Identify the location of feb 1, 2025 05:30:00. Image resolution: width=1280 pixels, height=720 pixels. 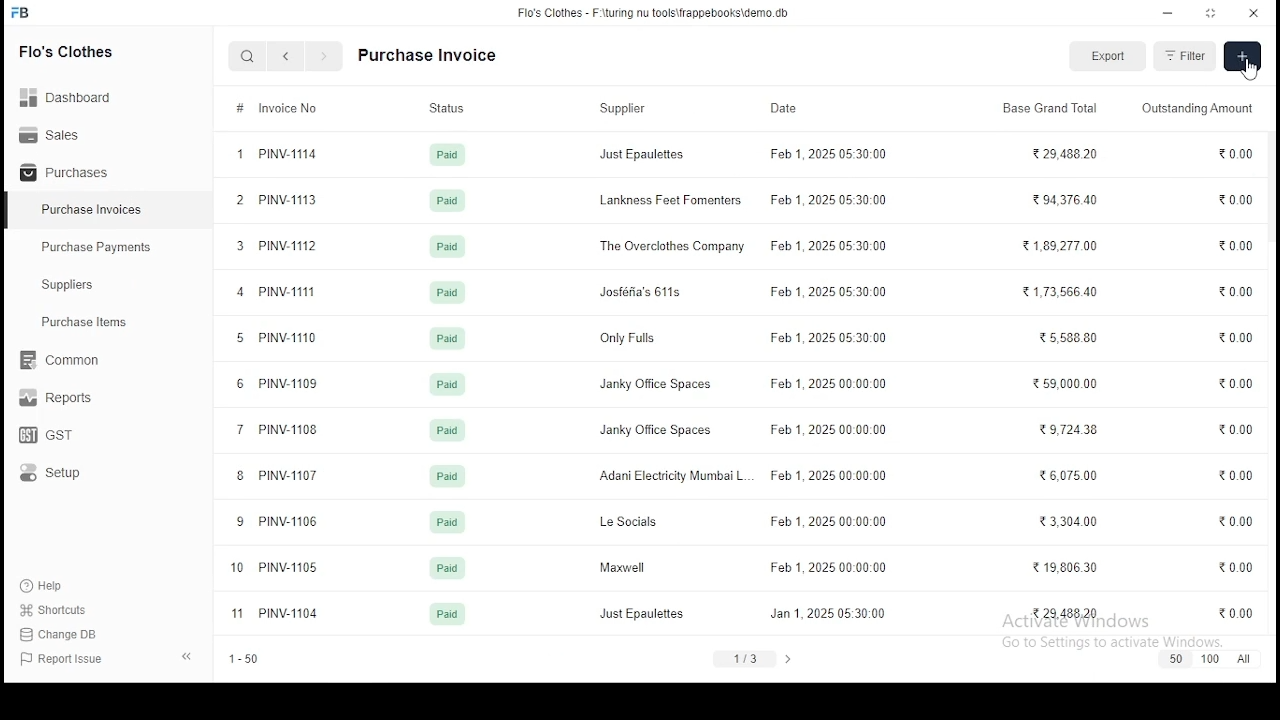
(827, 200).